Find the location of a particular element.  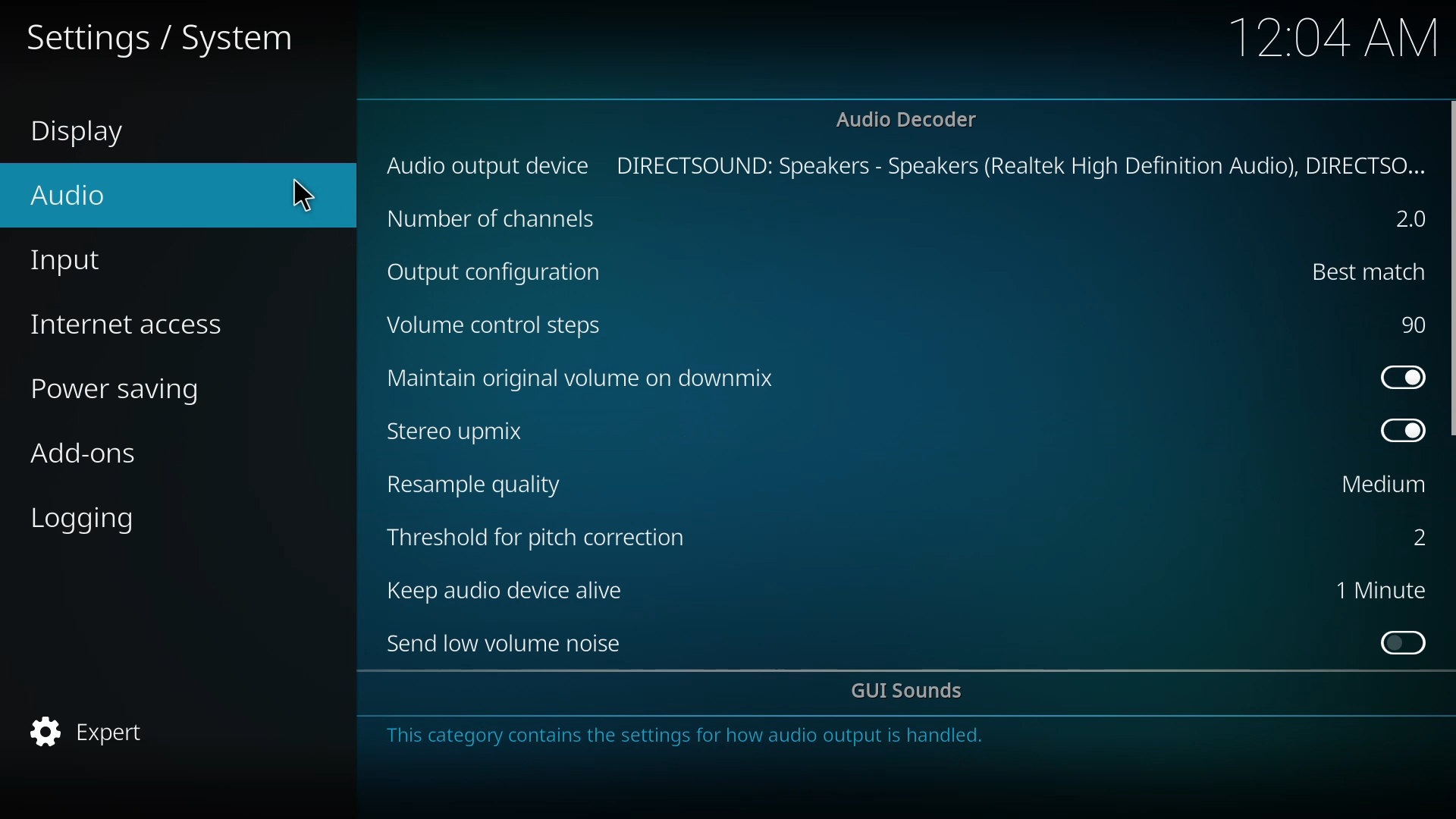

time is located at coordinates (1333, 36).